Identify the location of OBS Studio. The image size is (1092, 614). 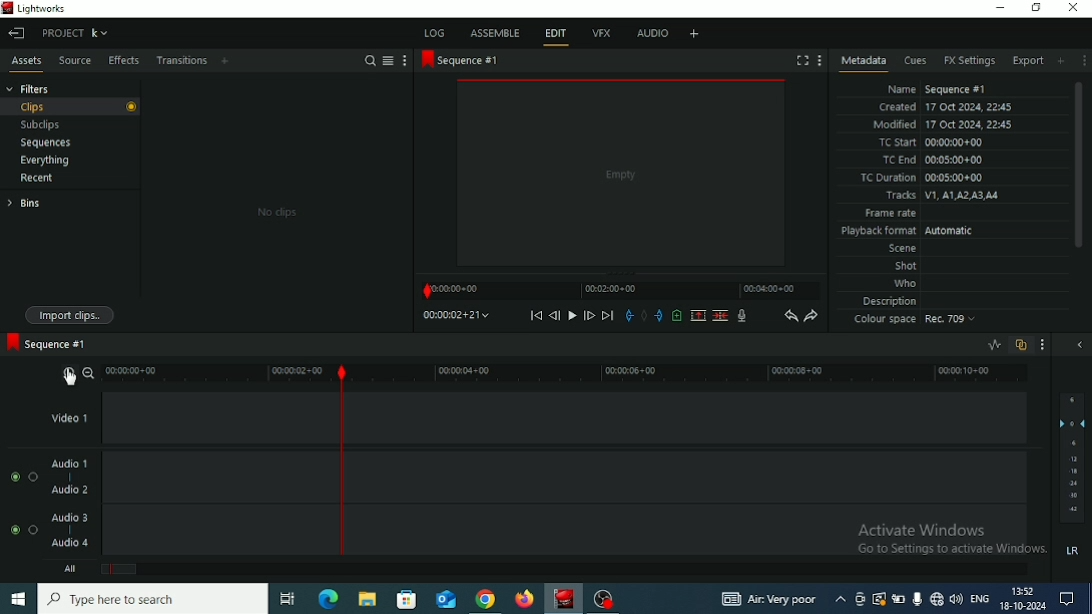
(603, 600).